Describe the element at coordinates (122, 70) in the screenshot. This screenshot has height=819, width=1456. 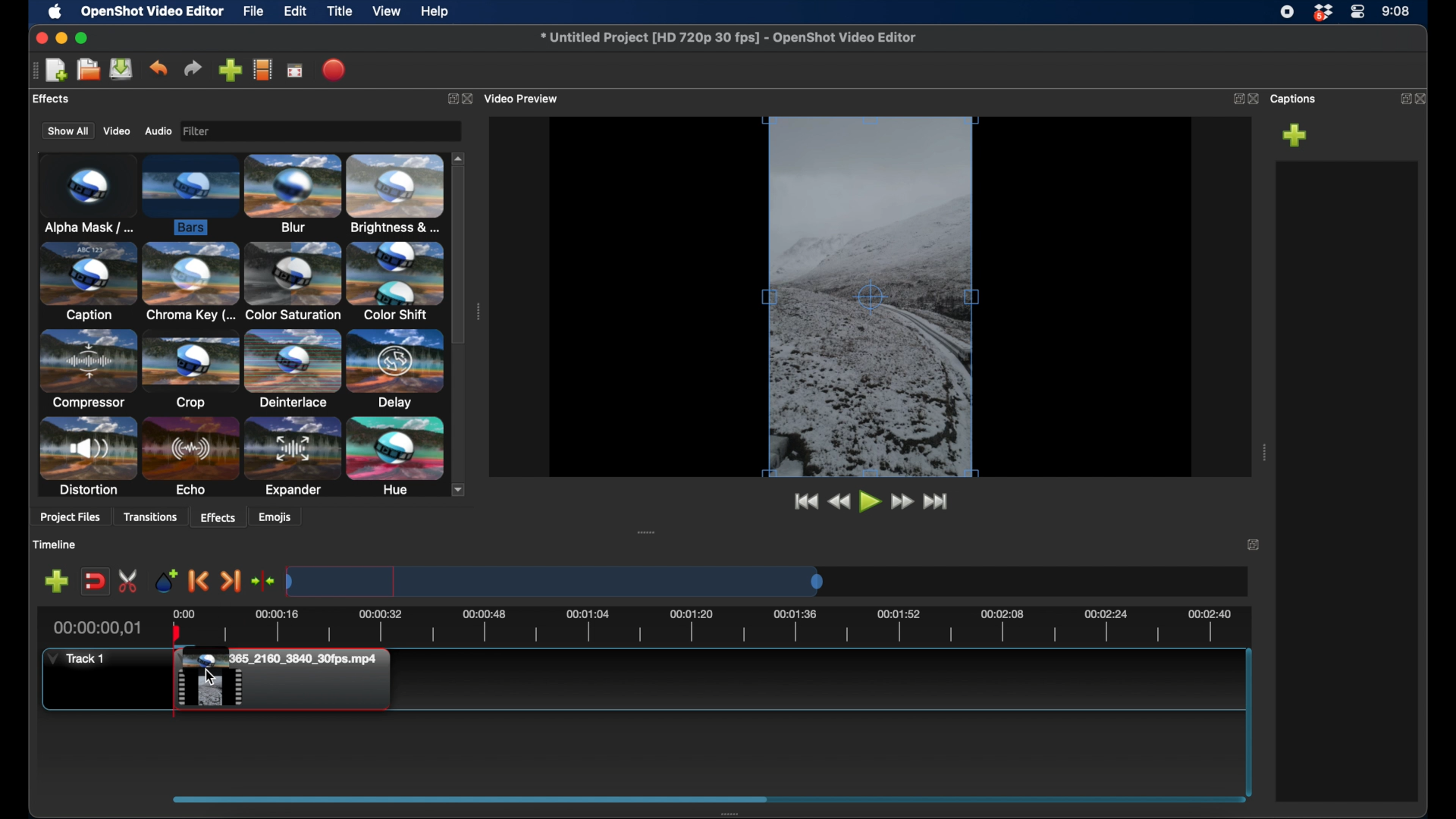
I see `save project` at that location.